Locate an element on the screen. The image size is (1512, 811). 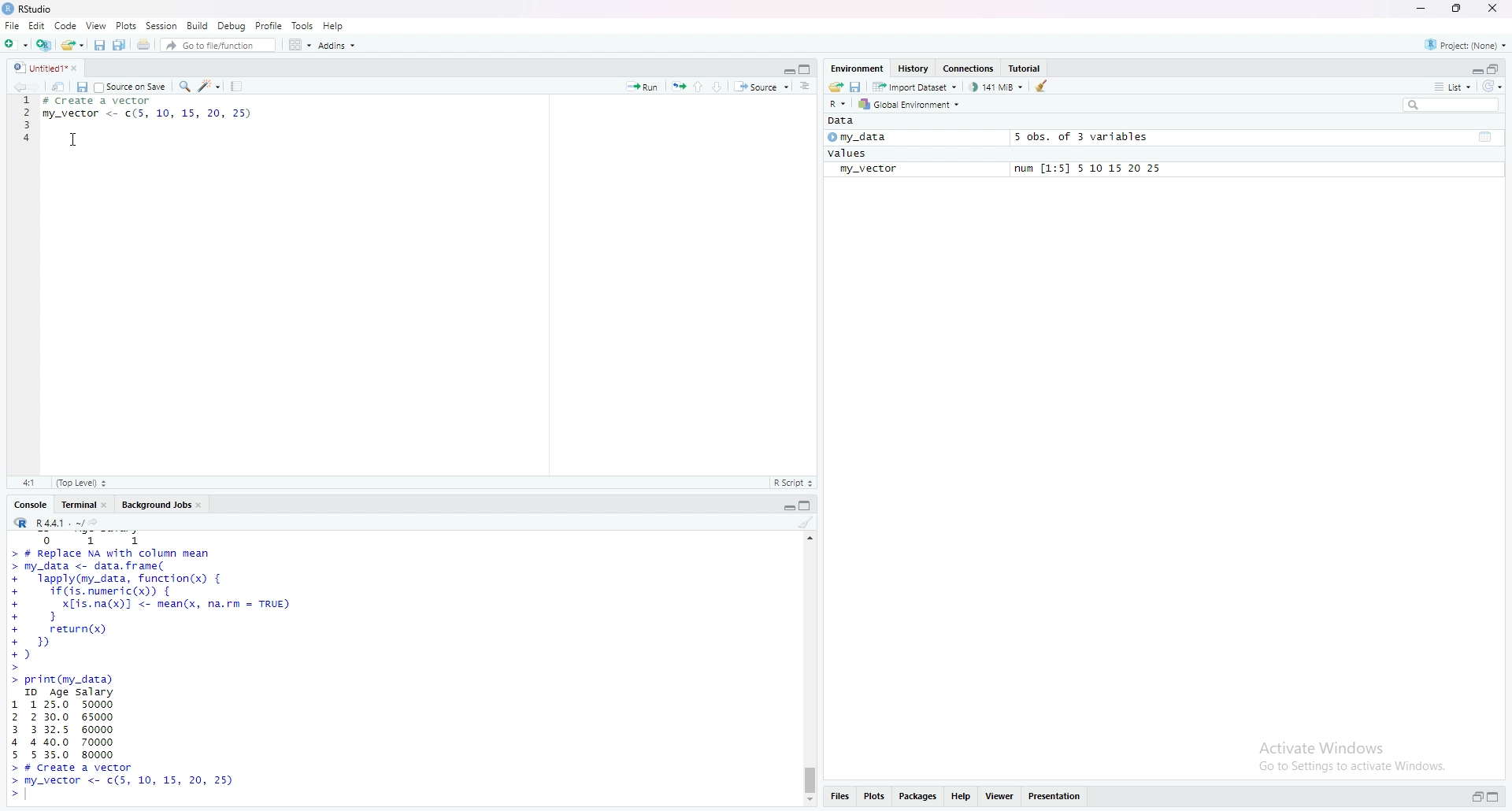
source on save is located at coordinates (132, 86).